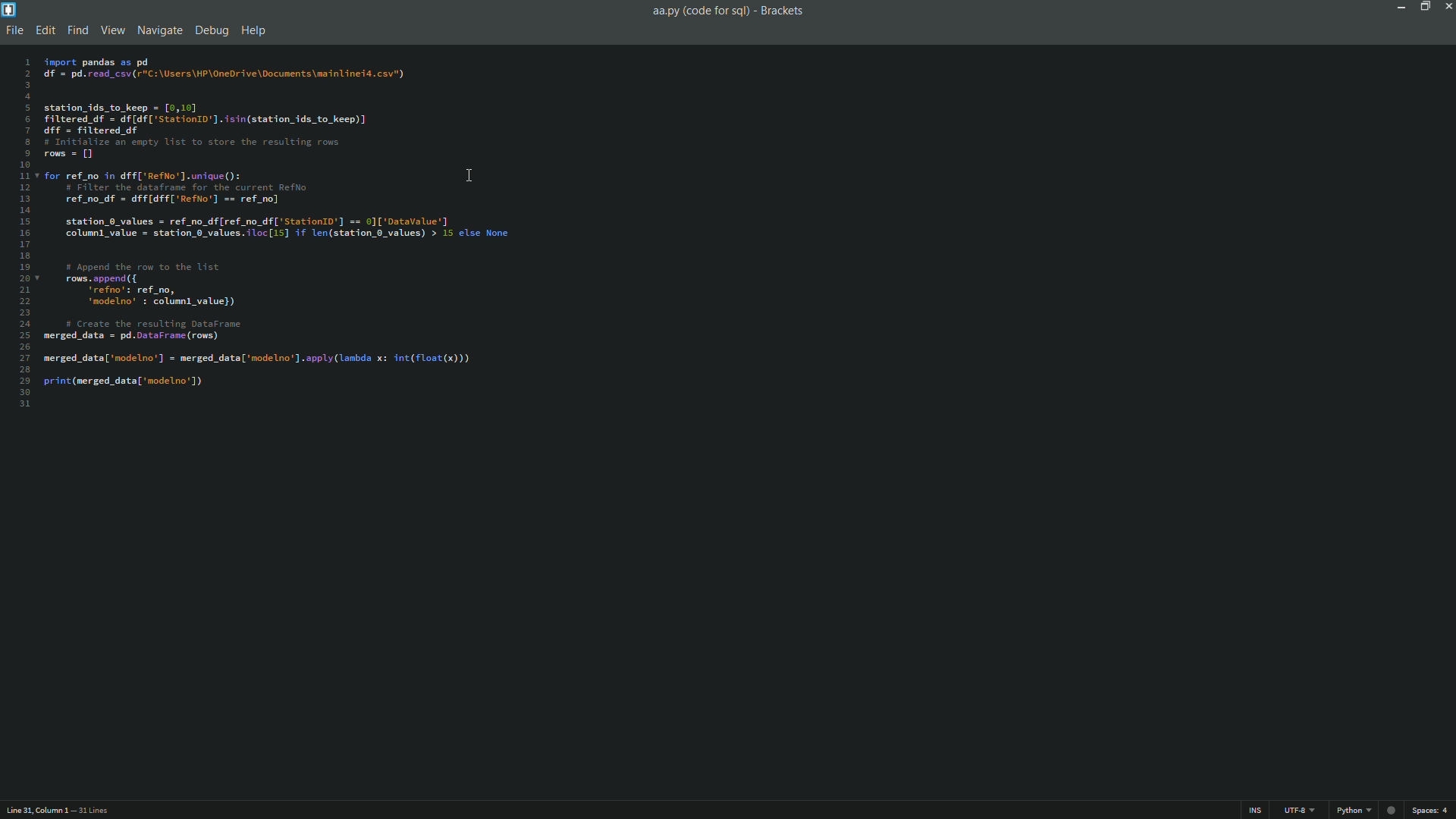 This screenshot has width=1456, height=819. Describe the element at coordinates (211, 30) in the screenshot. I see `debug menu` at that location.